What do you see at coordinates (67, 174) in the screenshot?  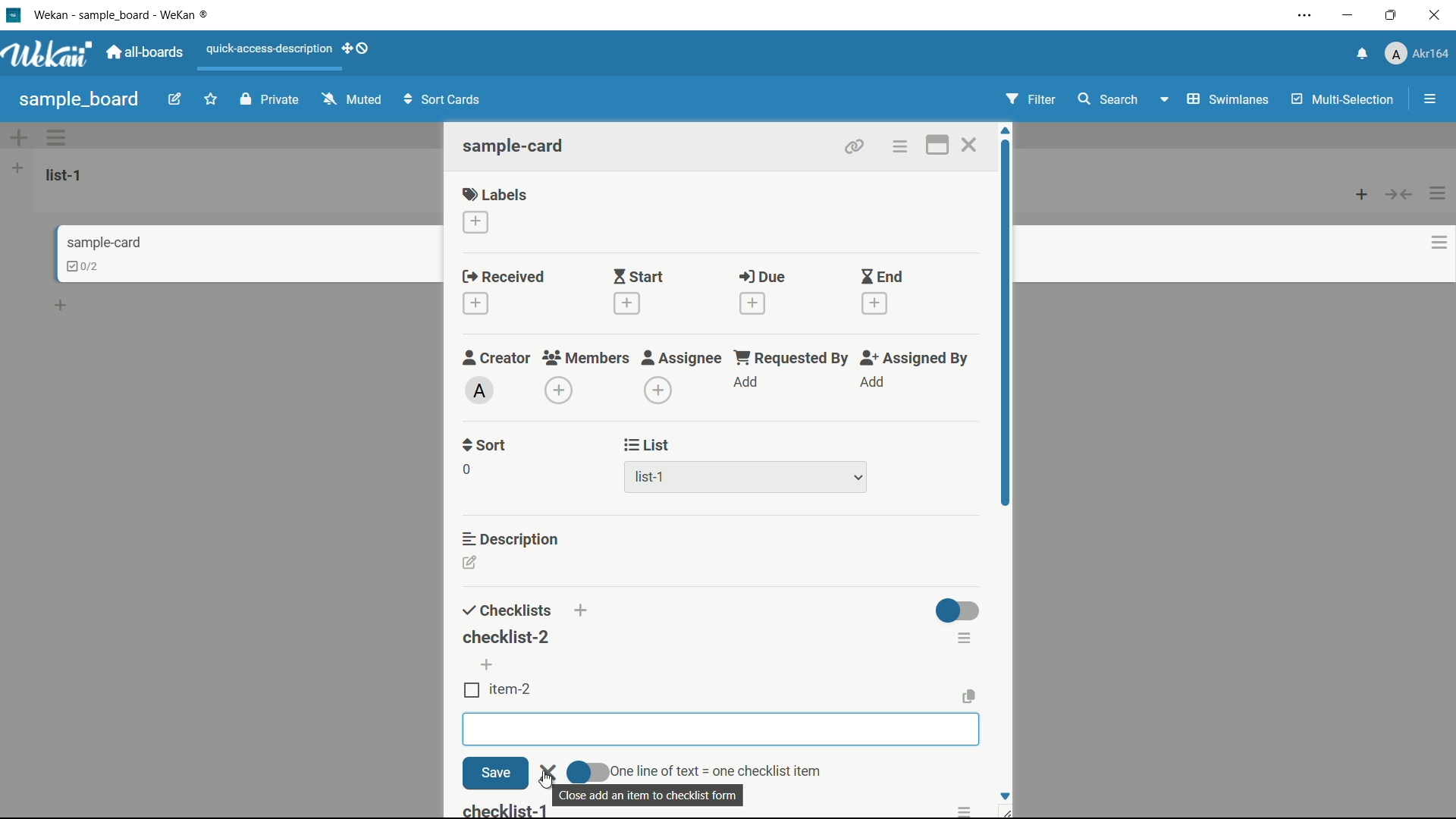 I see `list-1` at bounding box center [67, 174].